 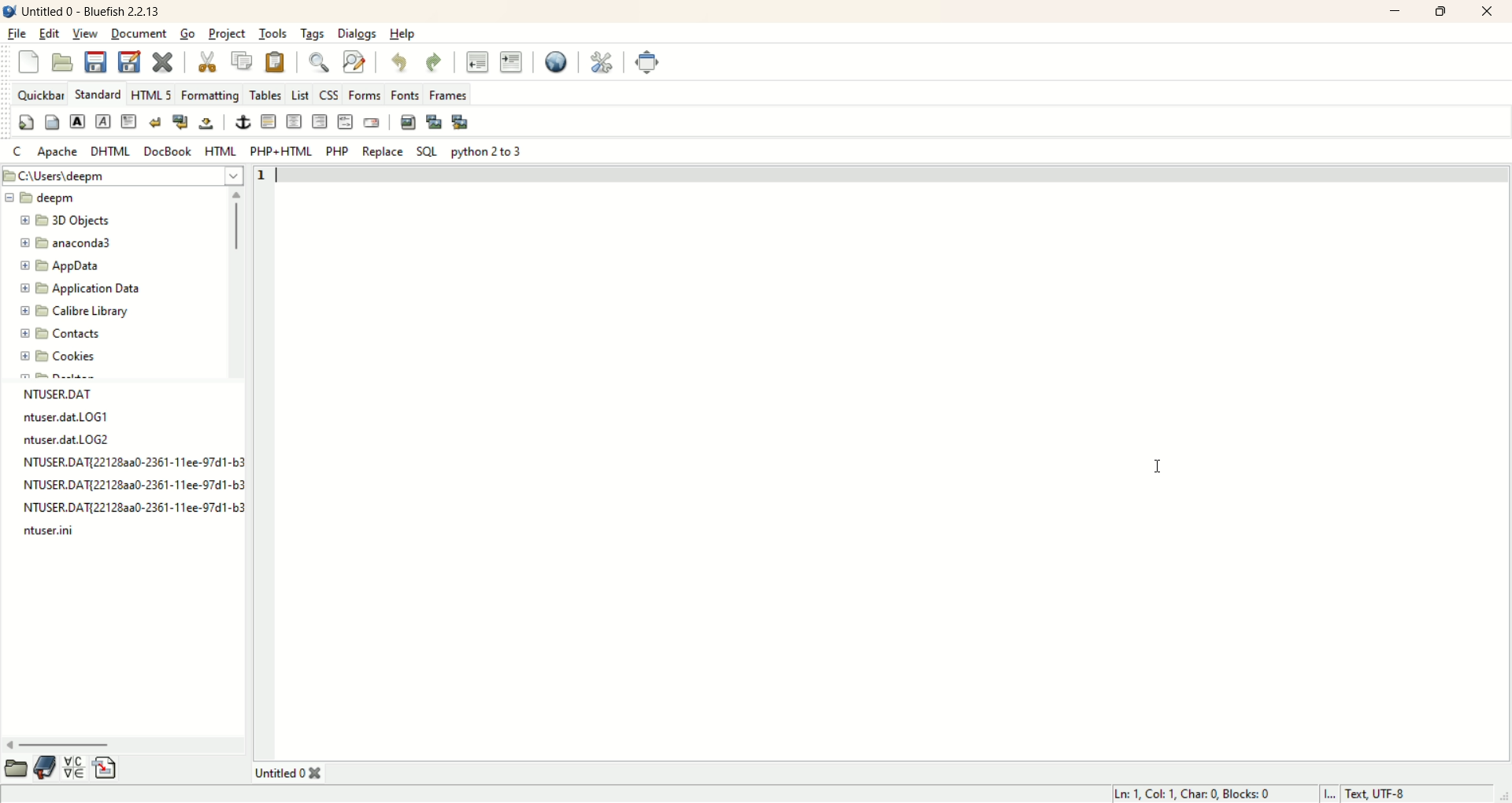 What do you see at coordinates (273, 771) in the screenshot?
I see `Untitled 0` at bounding box center [273, 771].